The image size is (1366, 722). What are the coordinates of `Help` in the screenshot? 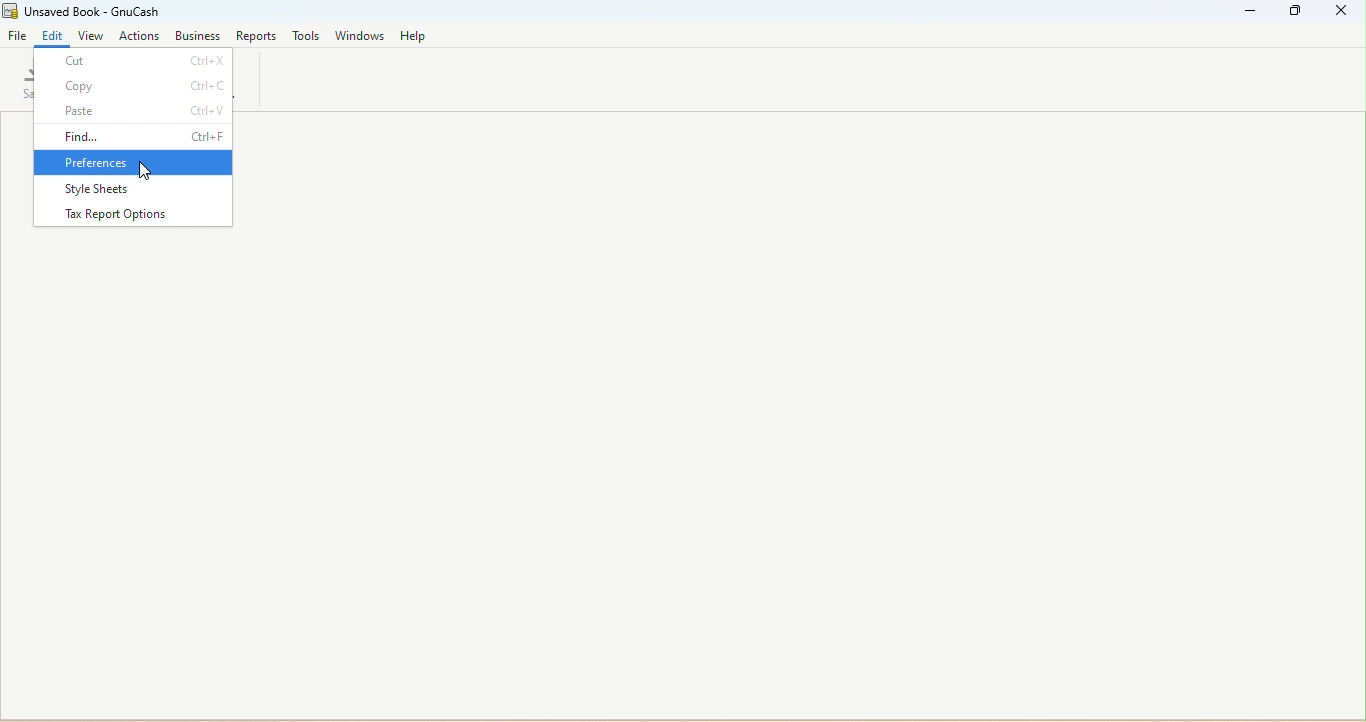 It's located at (414, 35).